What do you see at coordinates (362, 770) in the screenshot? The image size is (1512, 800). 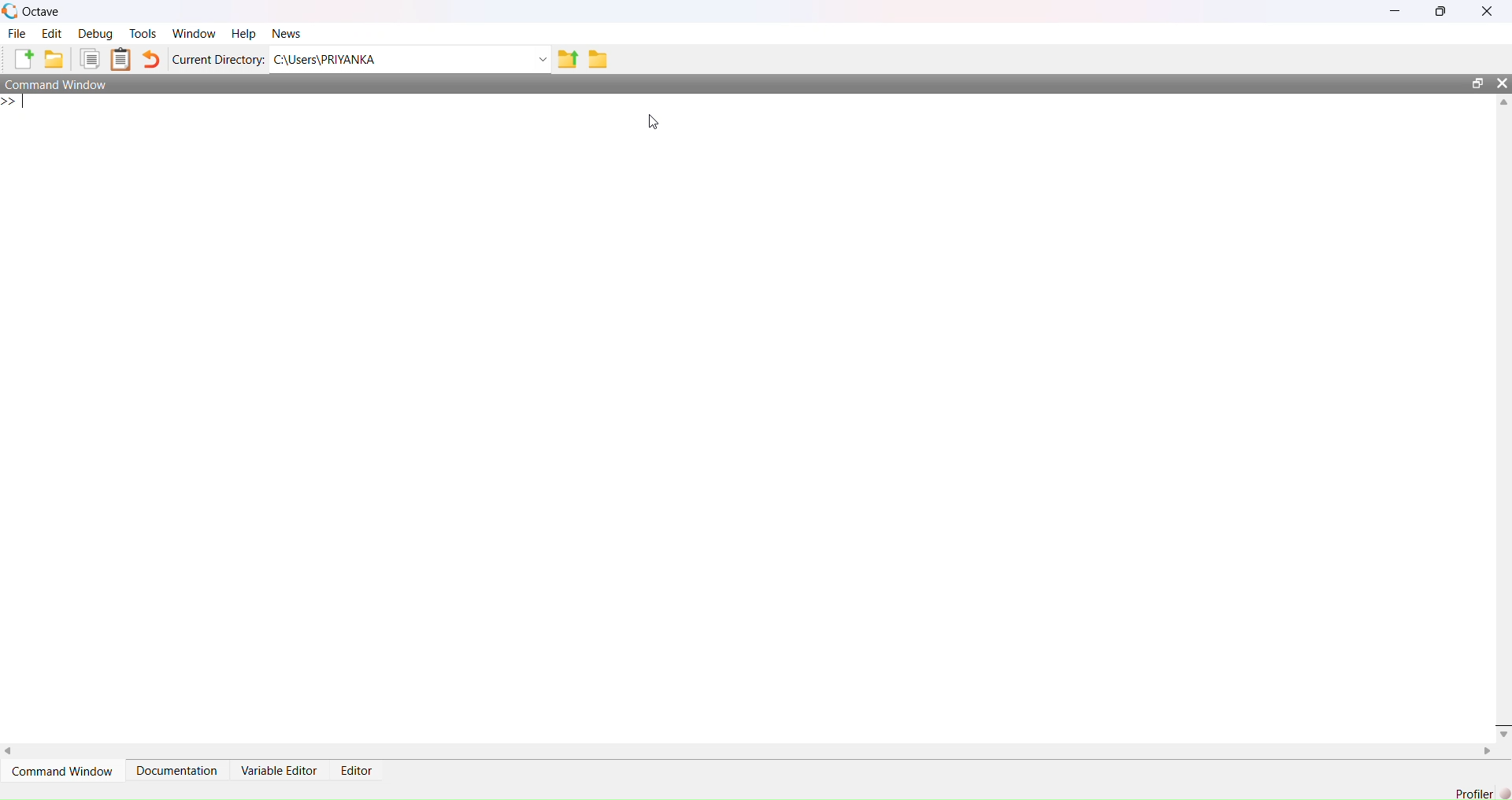 I see `Editor` at bounding box center [362, 770].